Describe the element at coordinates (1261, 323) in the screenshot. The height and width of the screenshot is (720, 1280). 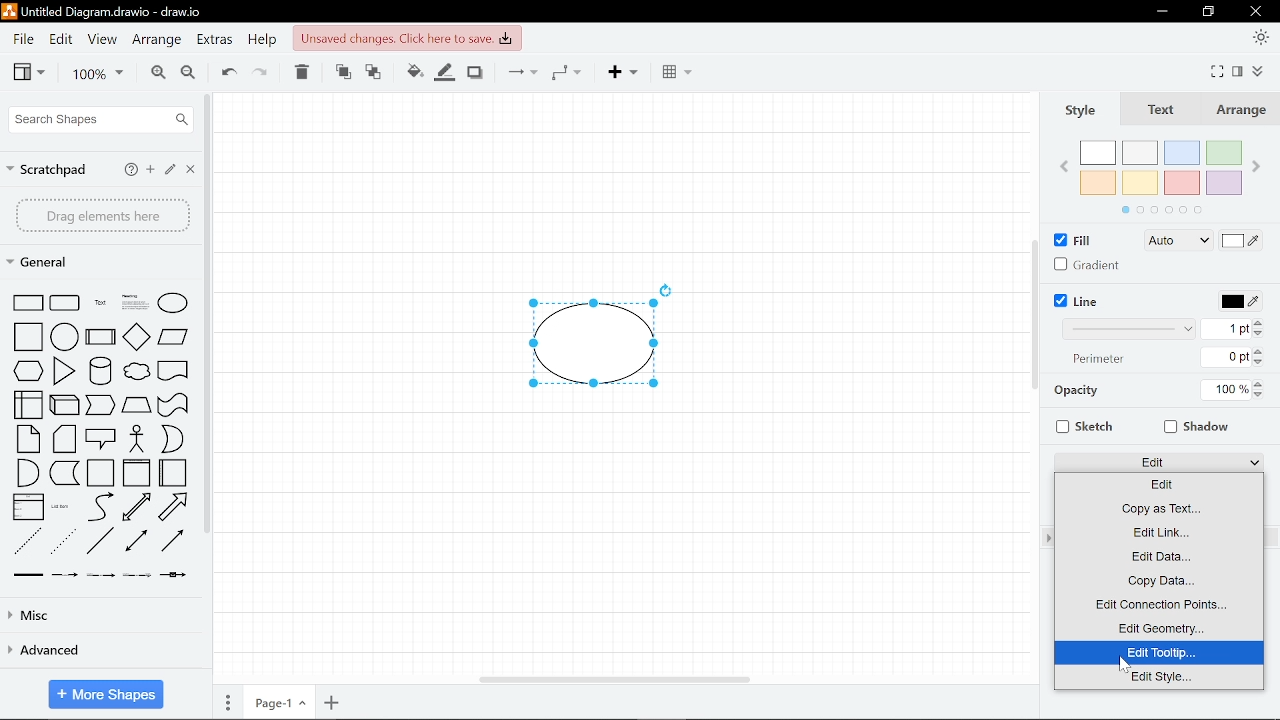
I see `` at that location.